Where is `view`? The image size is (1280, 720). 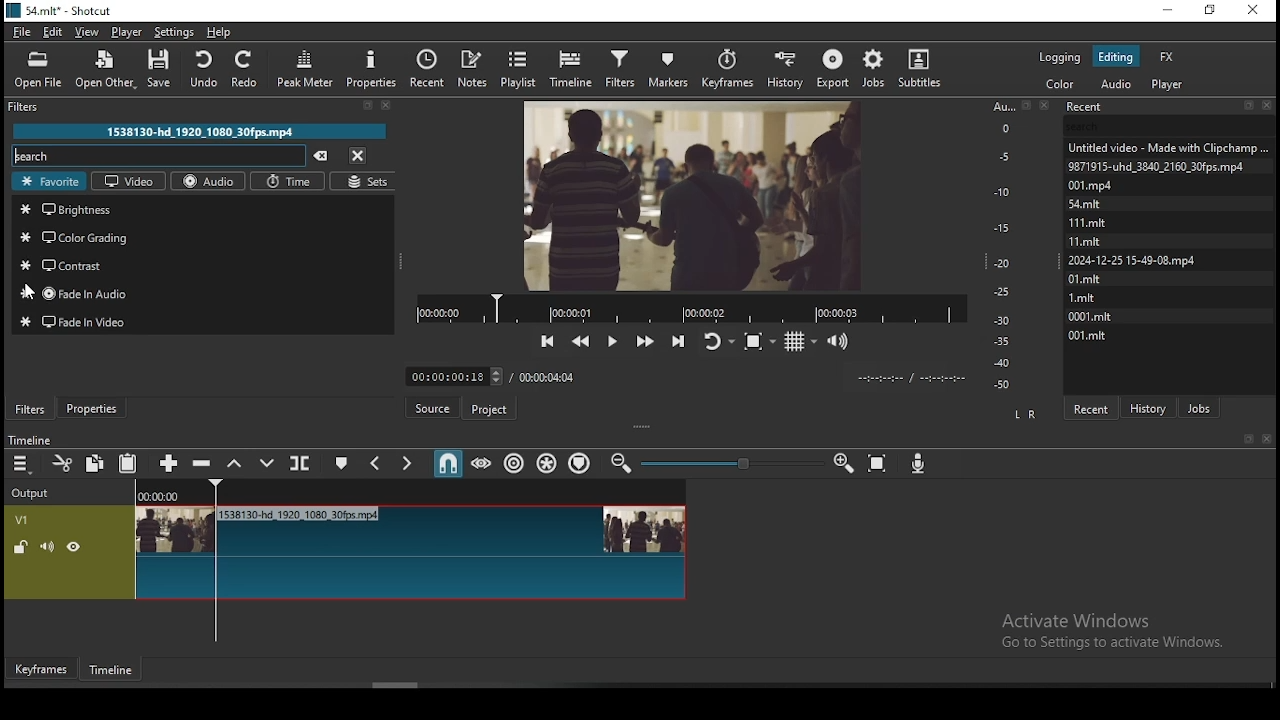 view is located at coordinates (87, 31).